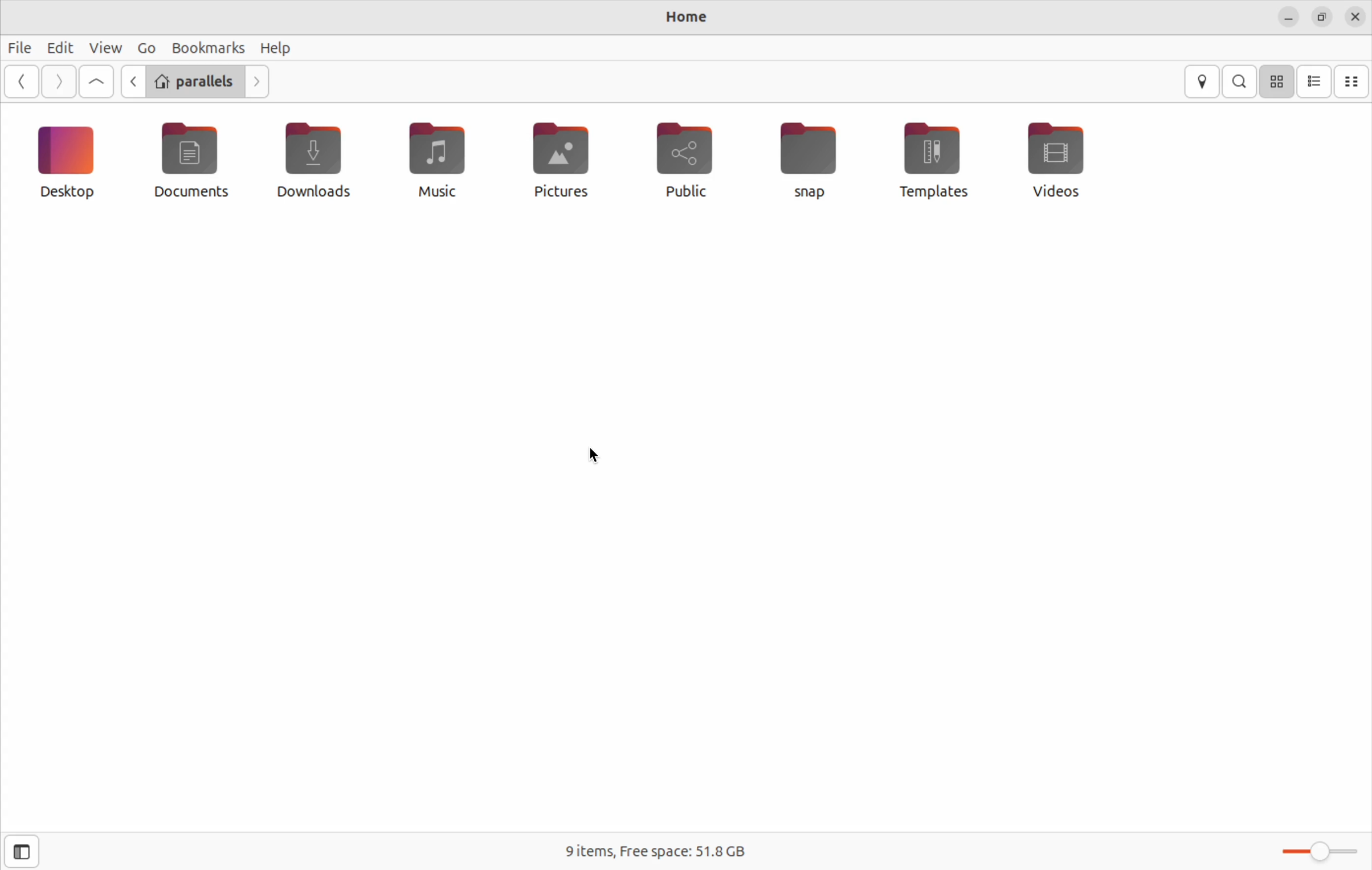 Image resolution: width=1372 pixels, height=870 pixels. Describe the element at coordinates (58, 81) in the screenshot. I see `Go next` at that location.